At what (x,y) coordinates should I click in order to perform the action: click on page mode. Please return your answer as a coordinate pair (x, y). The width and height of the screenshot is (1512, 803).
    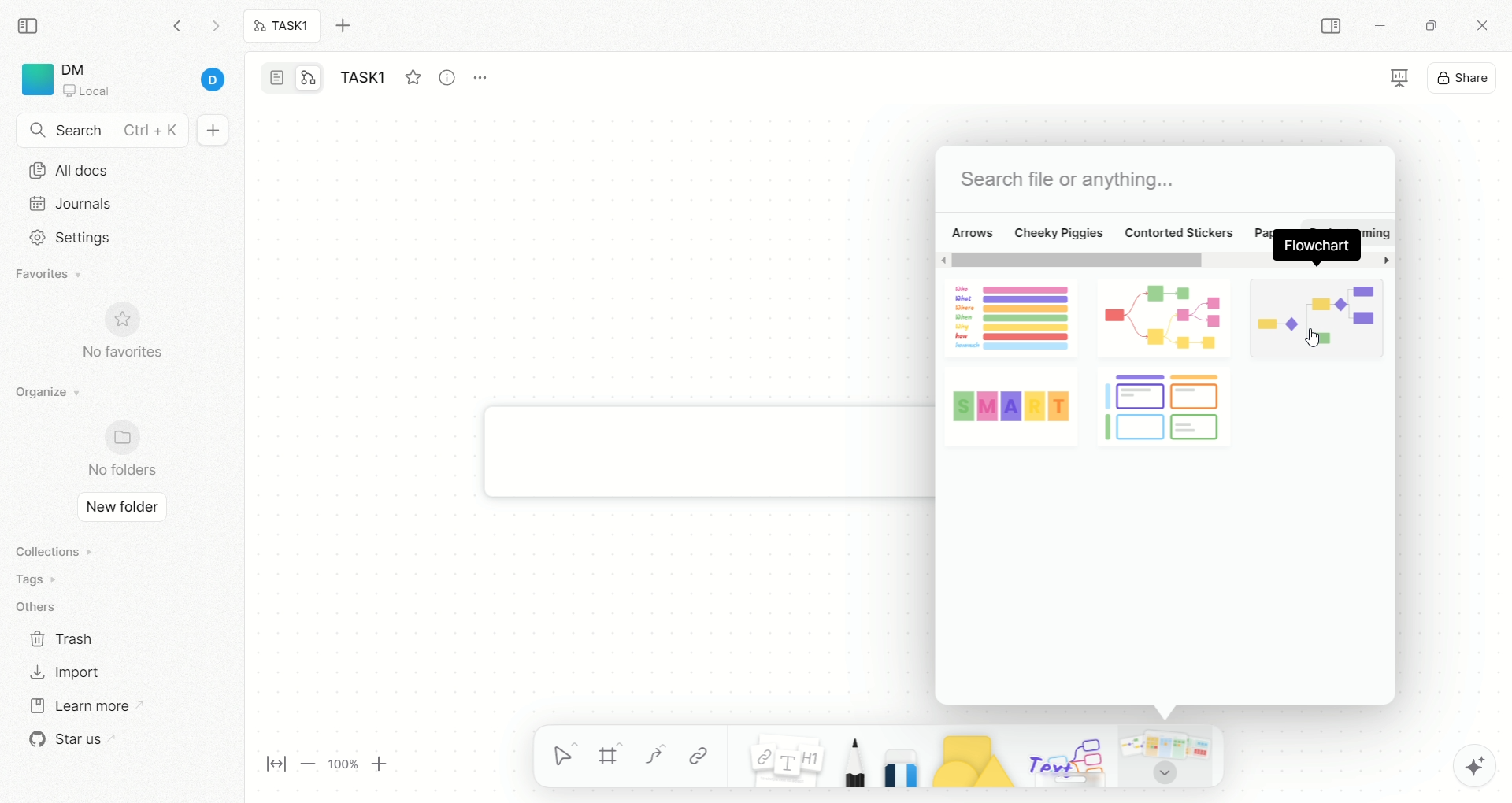
    Looking at the image, I should click on (278, 80).